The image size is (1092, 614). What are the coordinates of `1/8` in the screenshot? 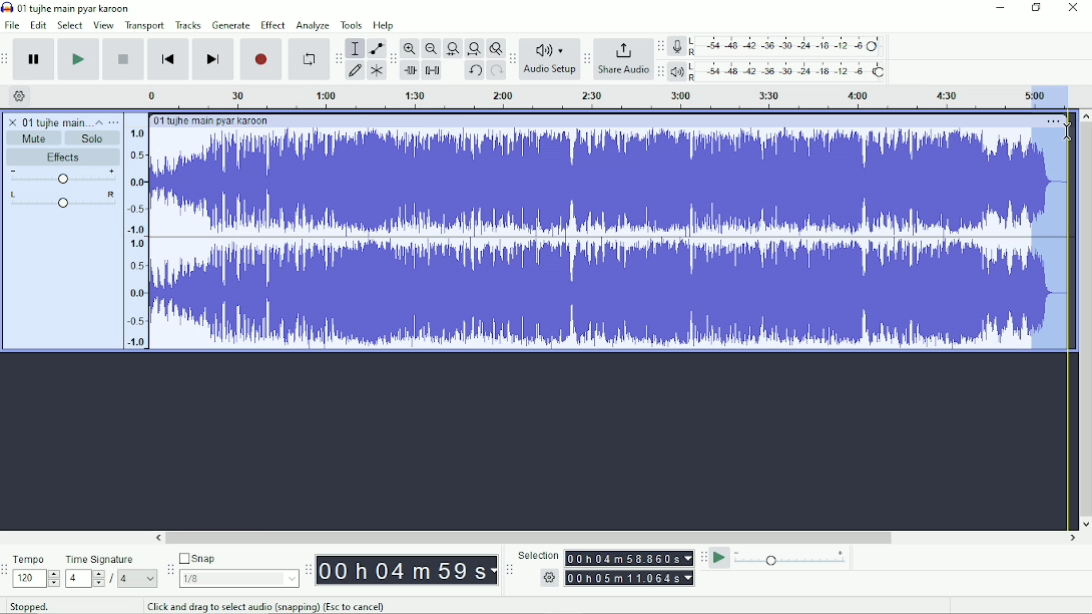 It's located at (241, 578).